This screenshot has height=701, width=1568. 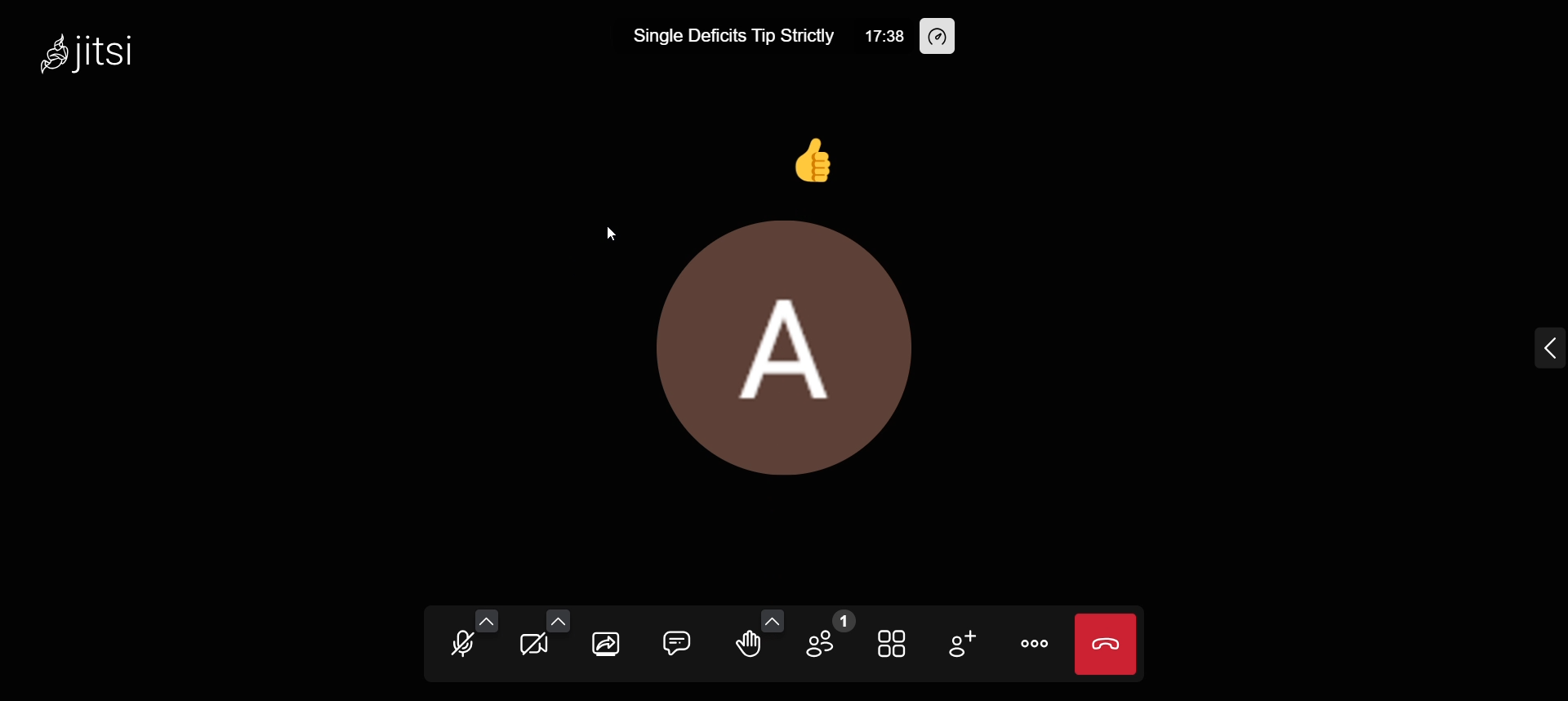 What do you see at coordinates (559, 621) in the screenshot?
I see `video setting` at bounding box center [559, 621].